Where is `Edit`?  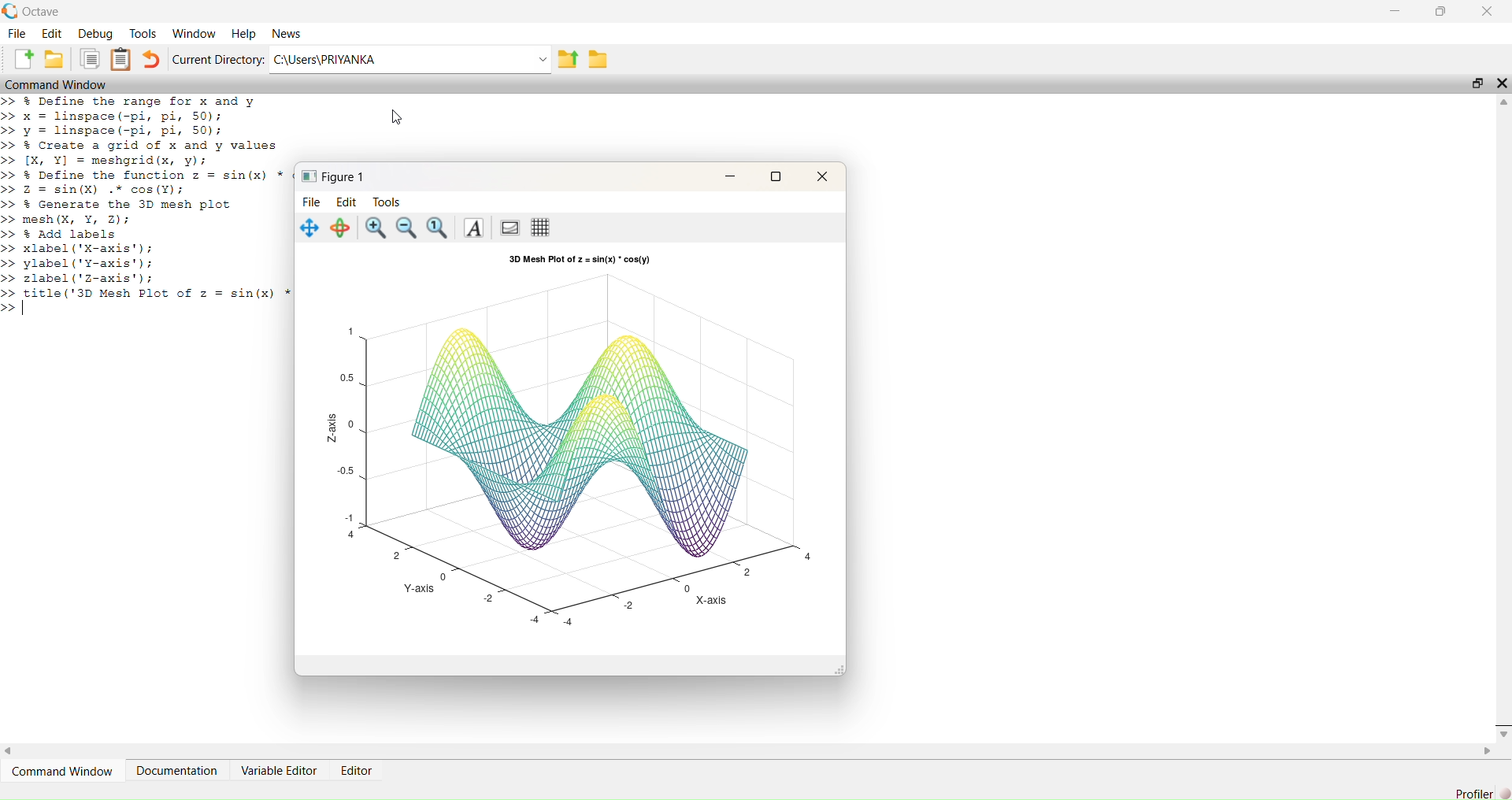 Edit is located at coordinates (346, 200).